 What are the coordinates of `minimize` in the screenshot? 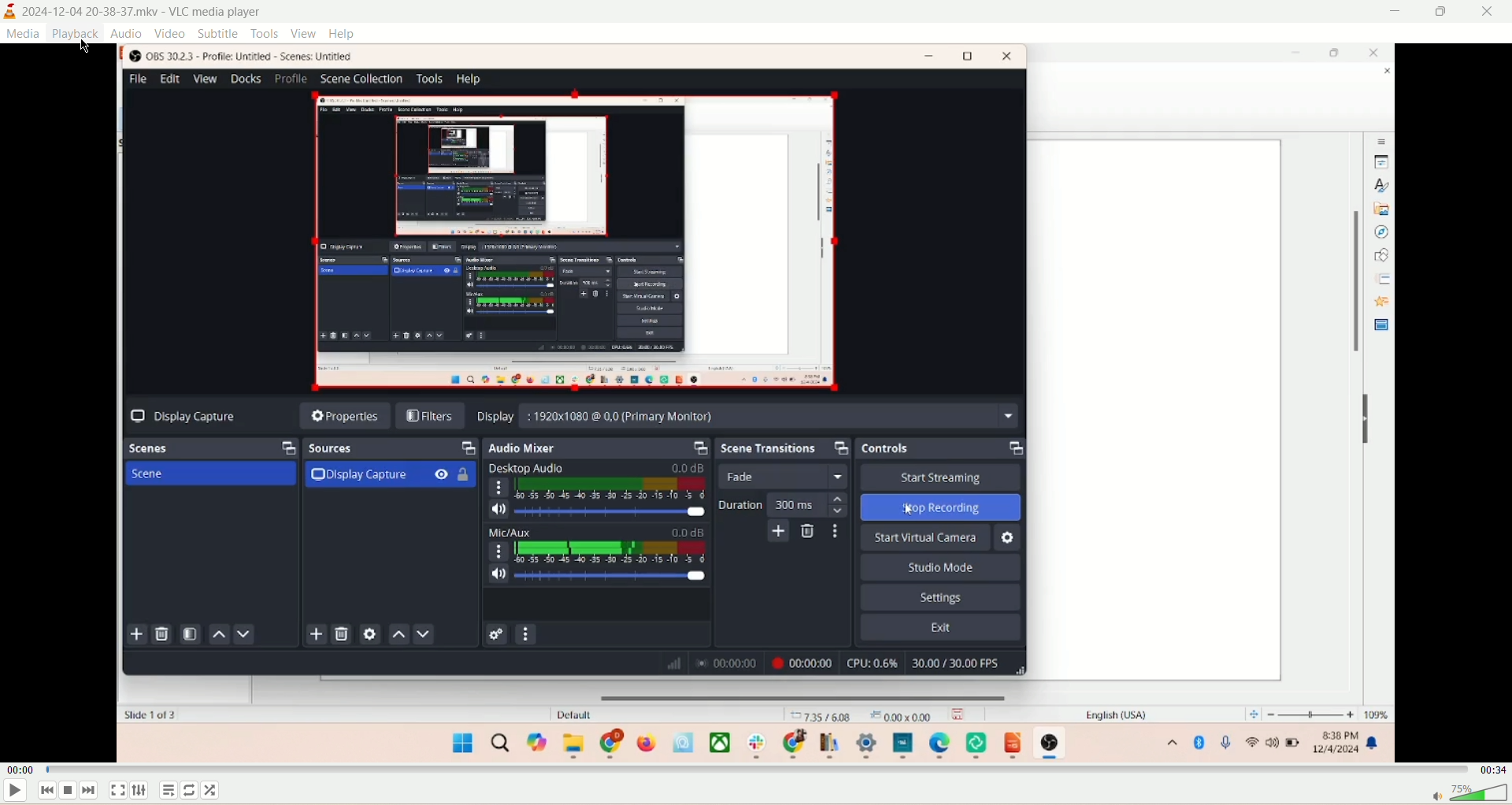 It's located at (1395, 12).